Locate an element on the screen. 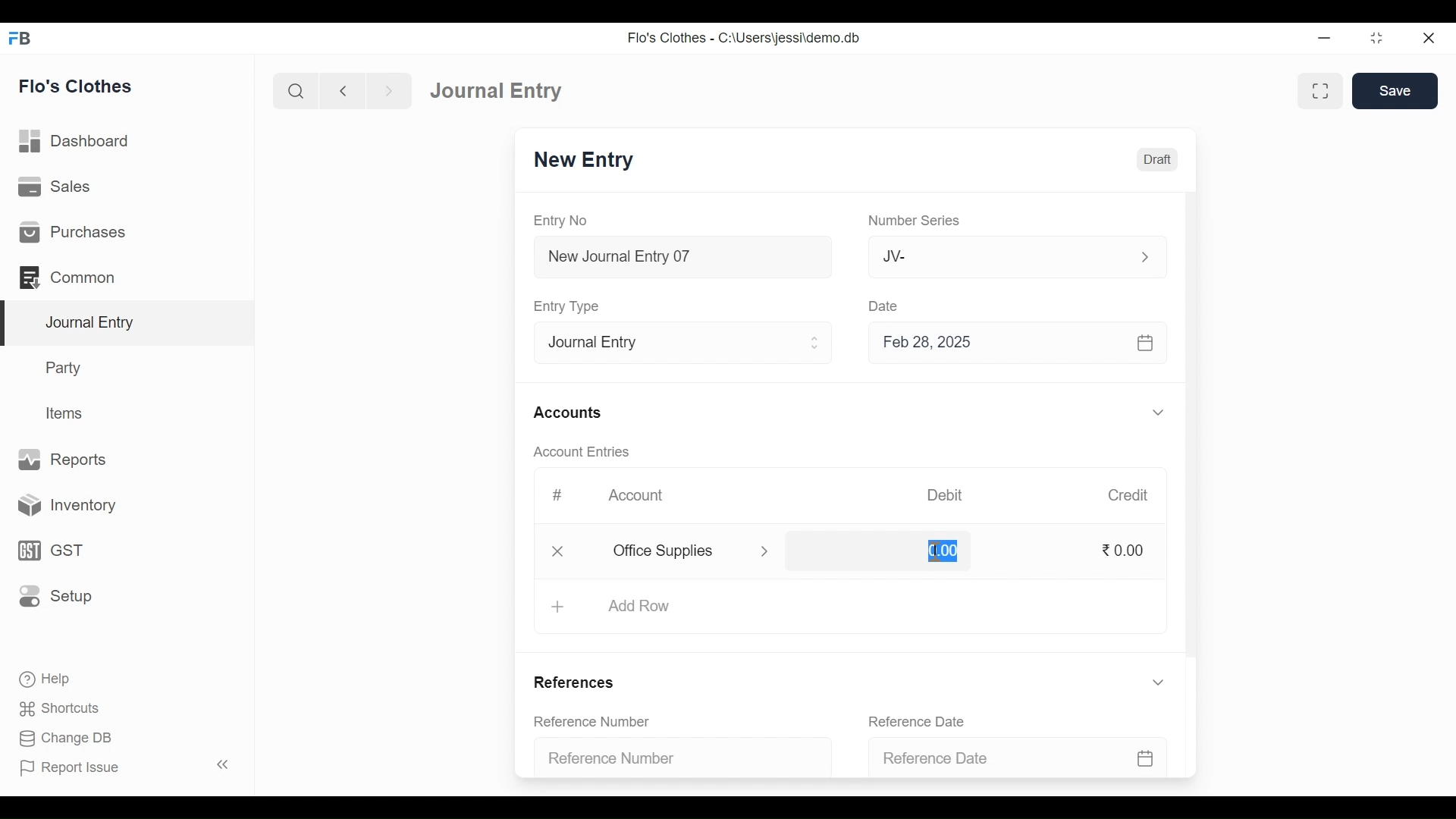 The width and height of the screenshot is (1456, 819). Credit is located at coordinates (1129, 496).